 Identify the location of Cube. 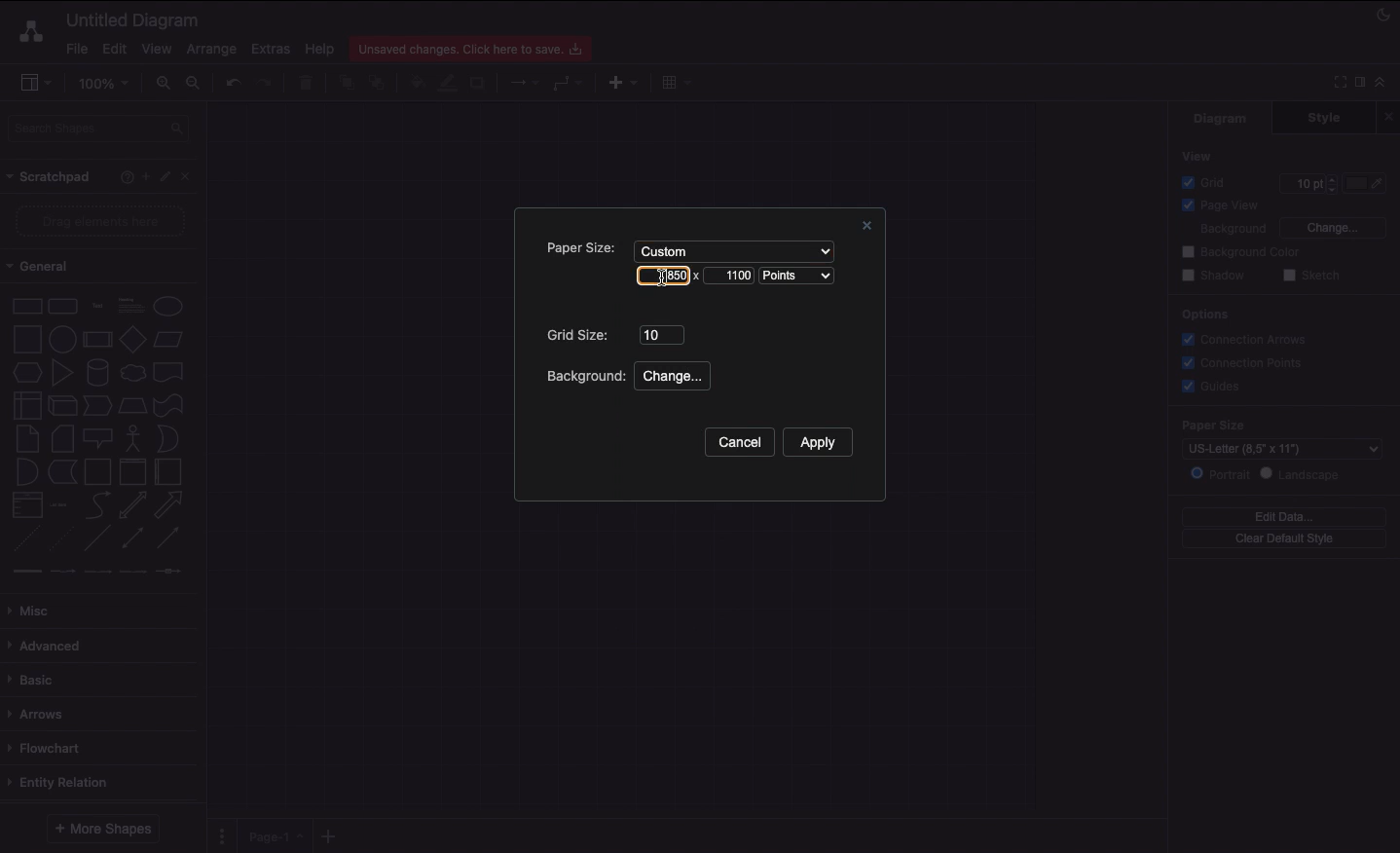
(62, 406).